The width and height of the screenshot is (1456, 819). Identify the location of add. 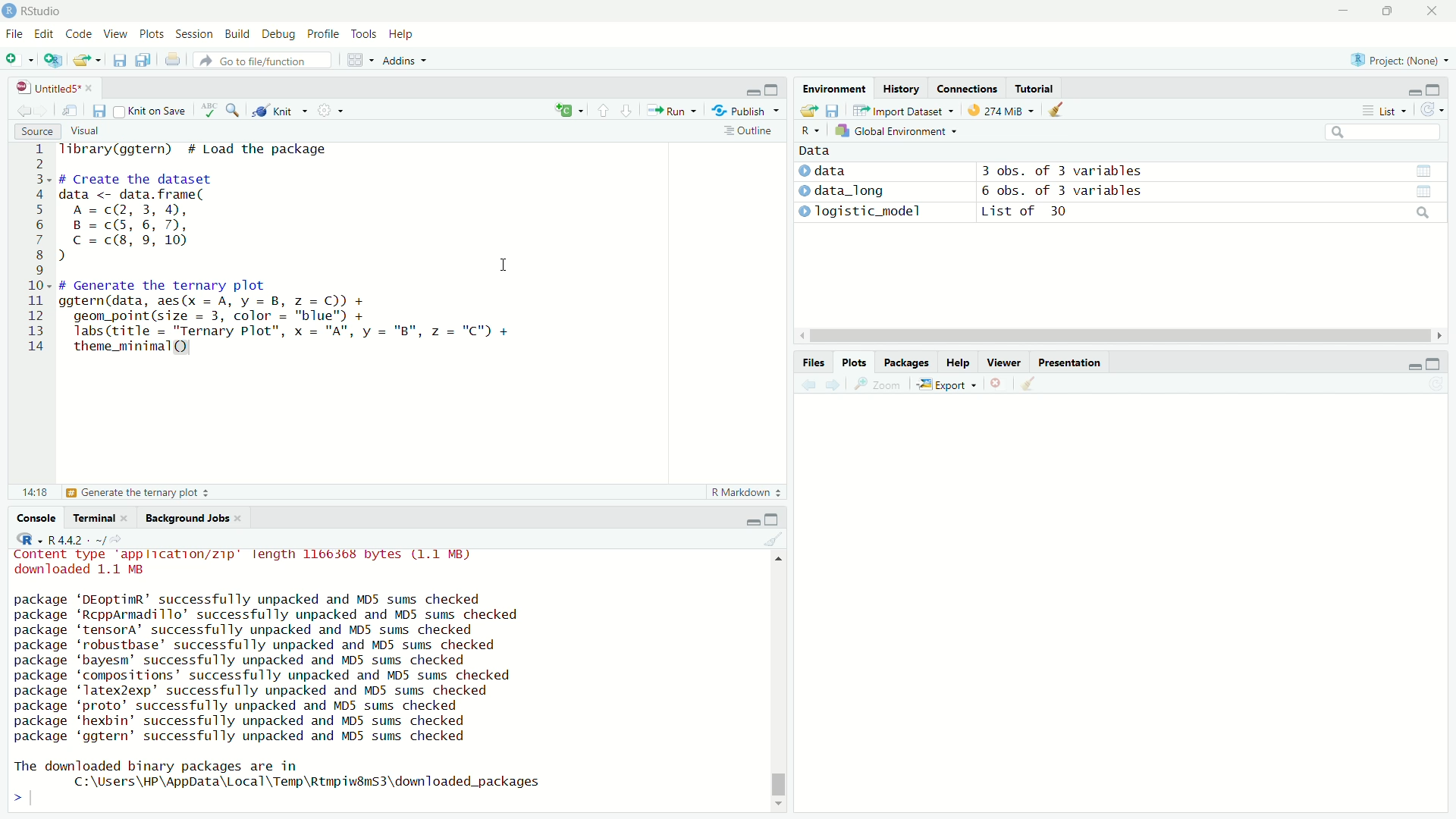
(561, 111).